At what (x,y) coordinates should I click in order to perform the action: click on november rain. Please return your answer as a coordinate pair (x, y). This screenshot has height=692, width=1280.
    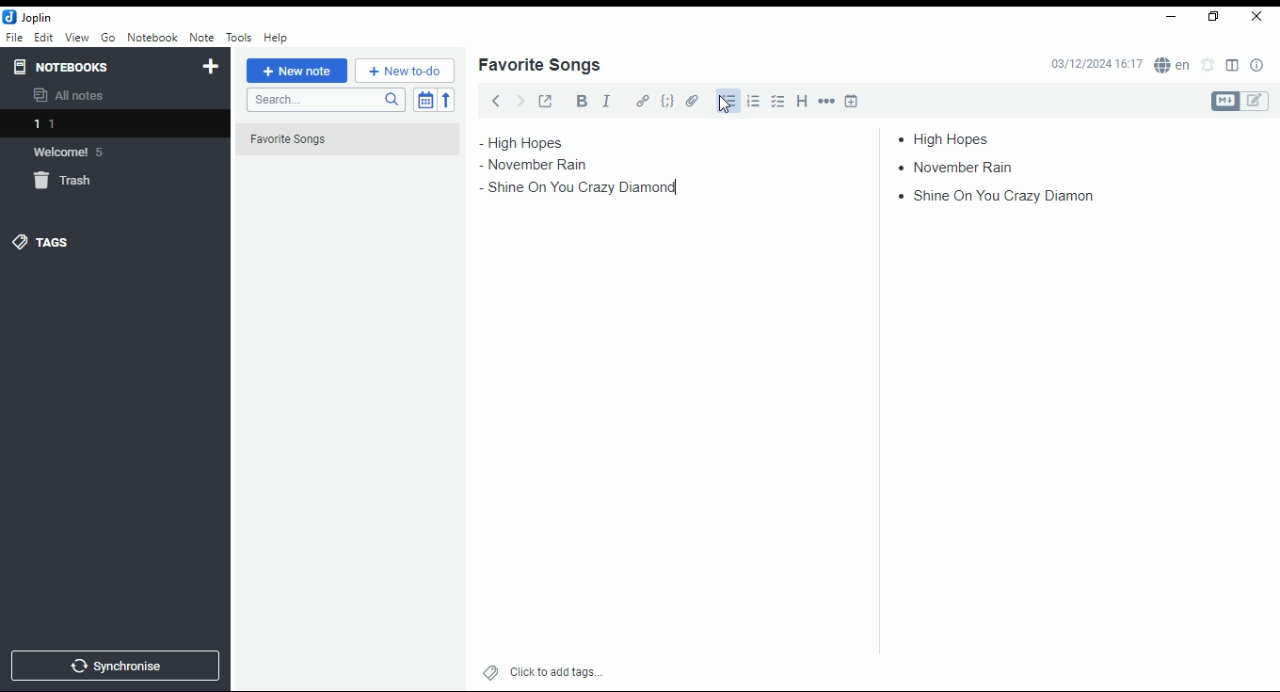
    Looking at the image, I should click on (962, 166).